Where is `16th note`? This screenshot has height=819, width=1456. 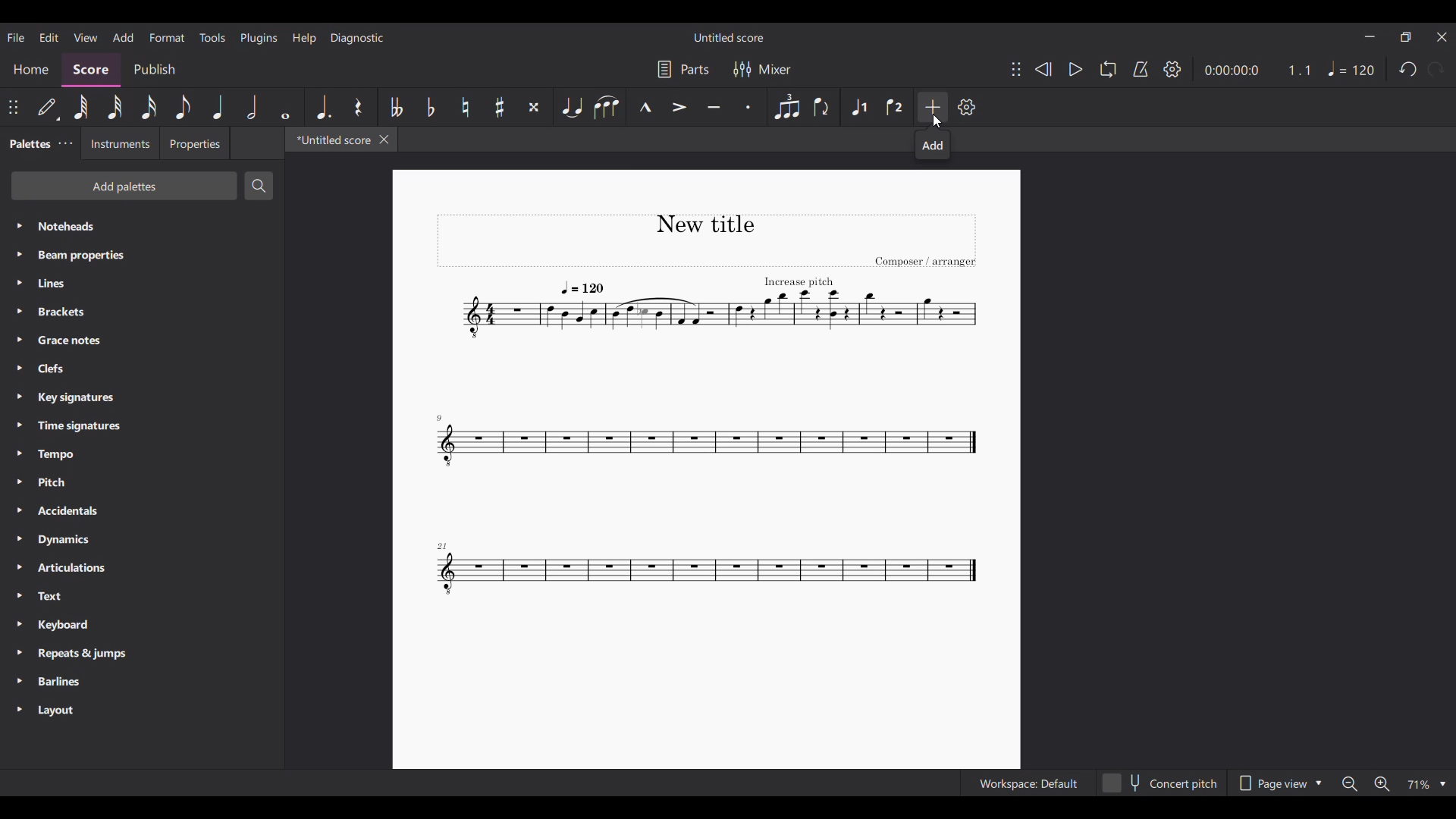
16th note is located at coordinates (149, 107).